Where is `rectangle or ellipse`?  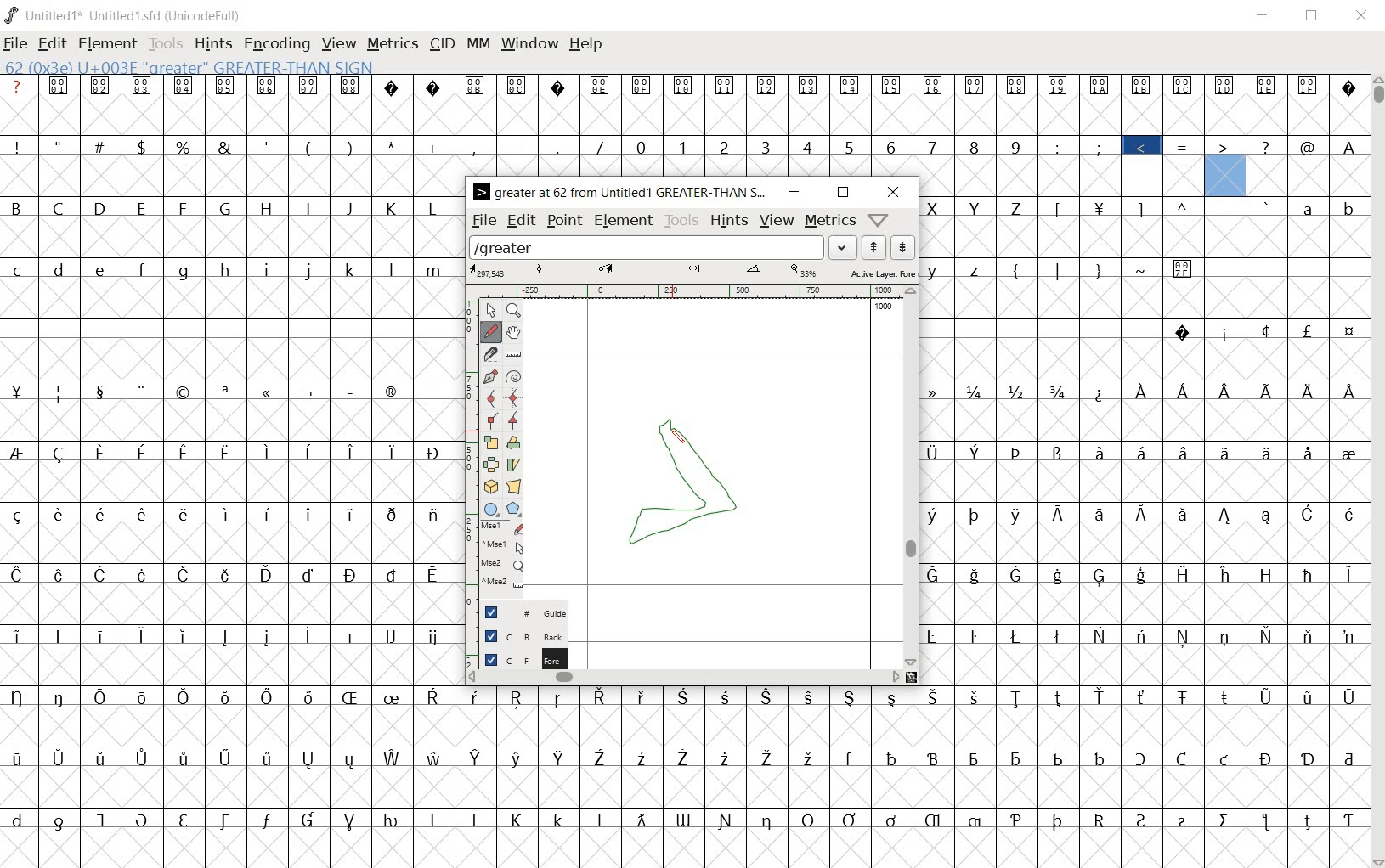 rectangle or ellipse is located at coordinates (489, 508).